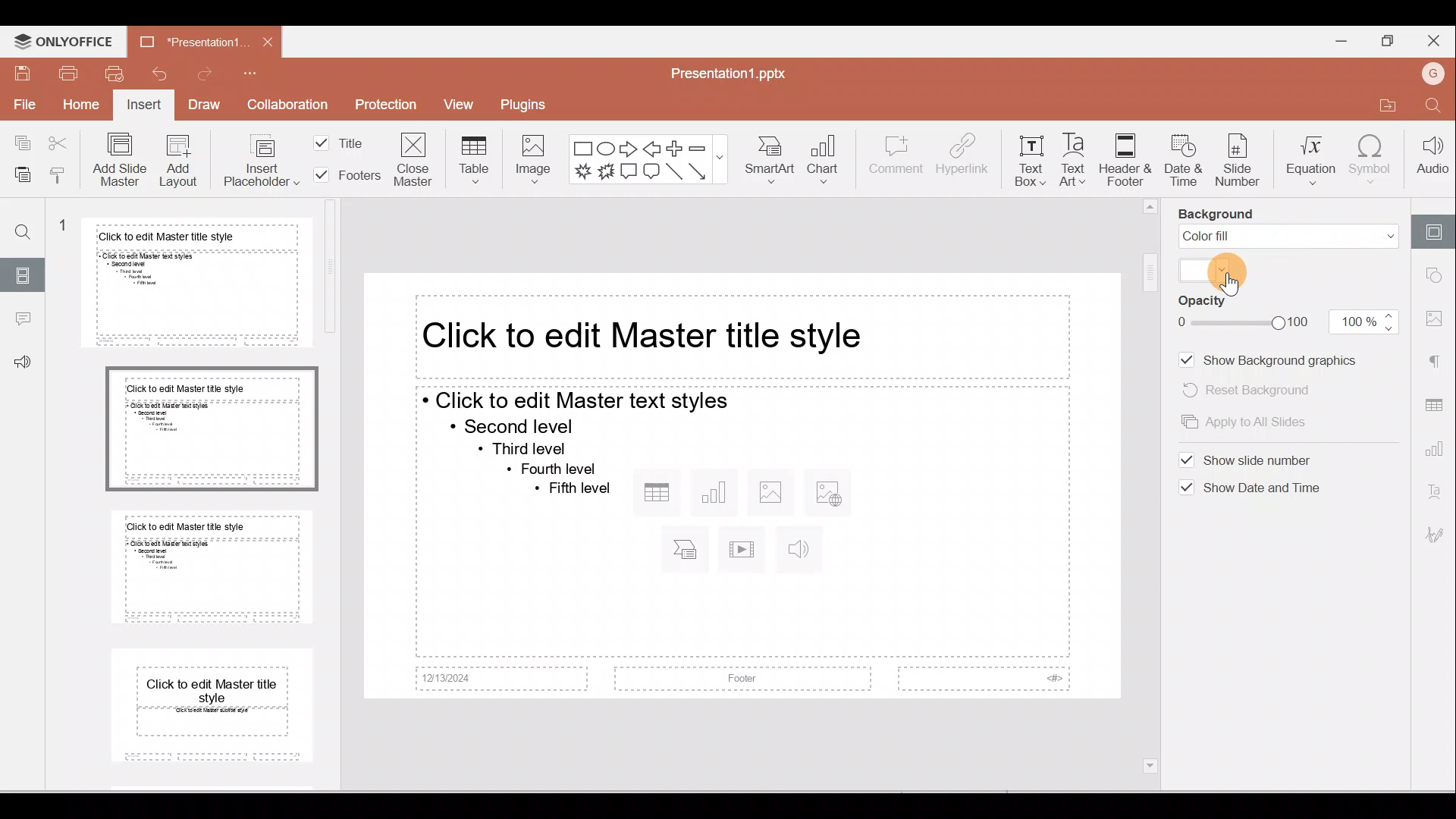 The height and width of the screenshot is (819, 1456). What do you see at coordinates (1288, 237) in the screenshot?
I see `Colour fill` at bounding box center [1288, 237].